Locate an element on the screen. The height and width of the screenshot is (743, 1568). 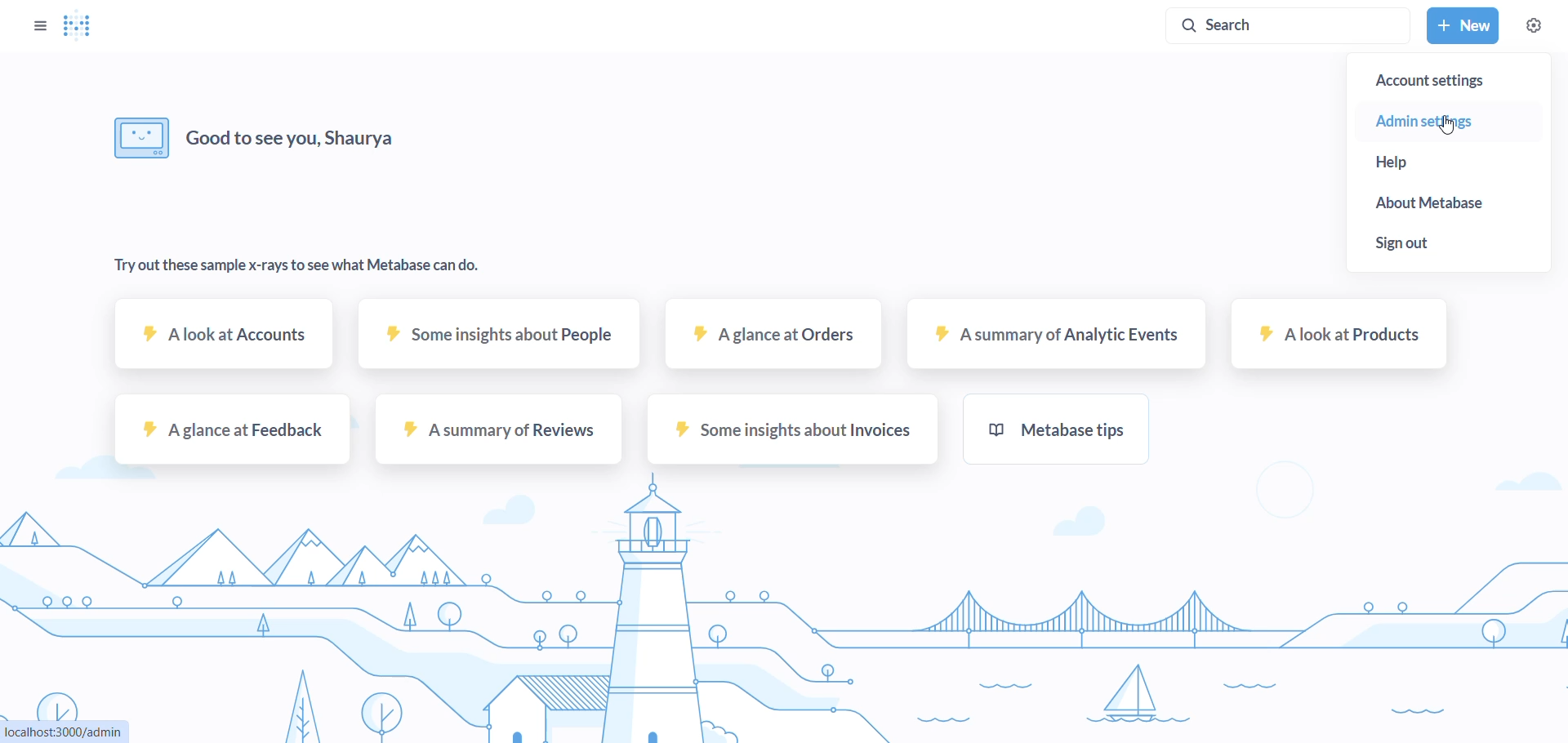
a glance at feedback  is located at coordinates (229, 434).